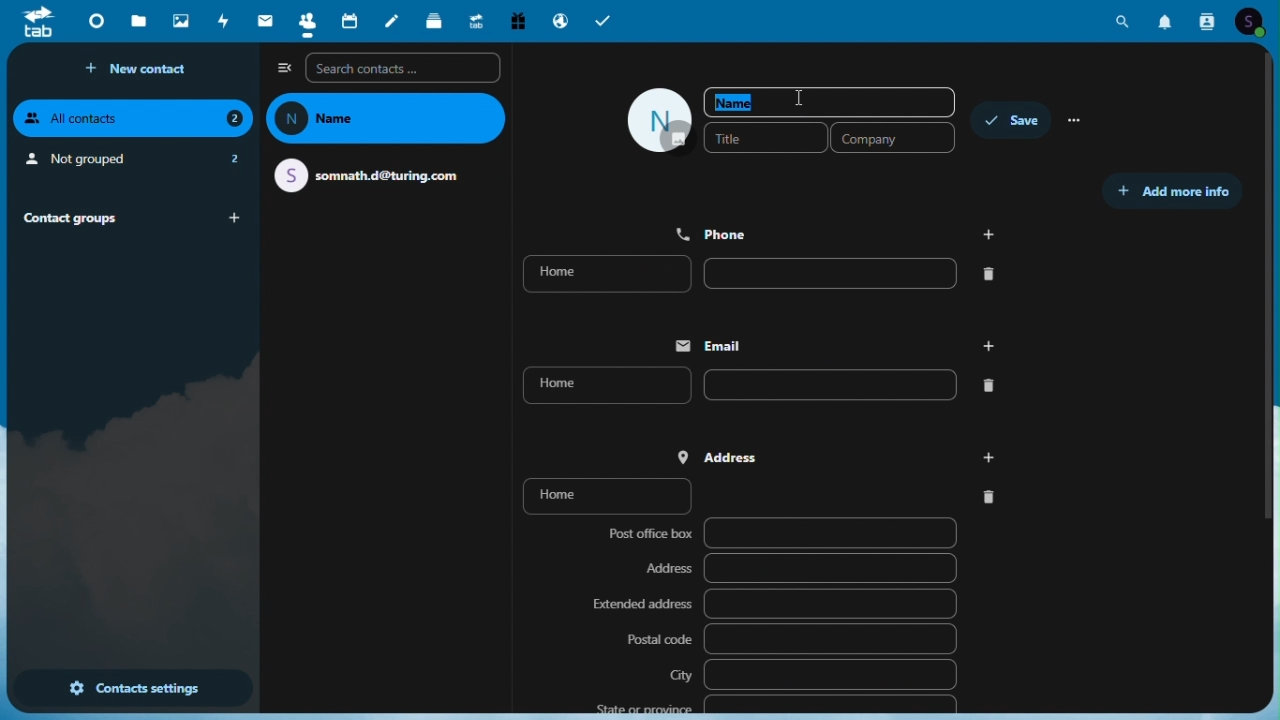  I want to click on tab, so click(36, 24).